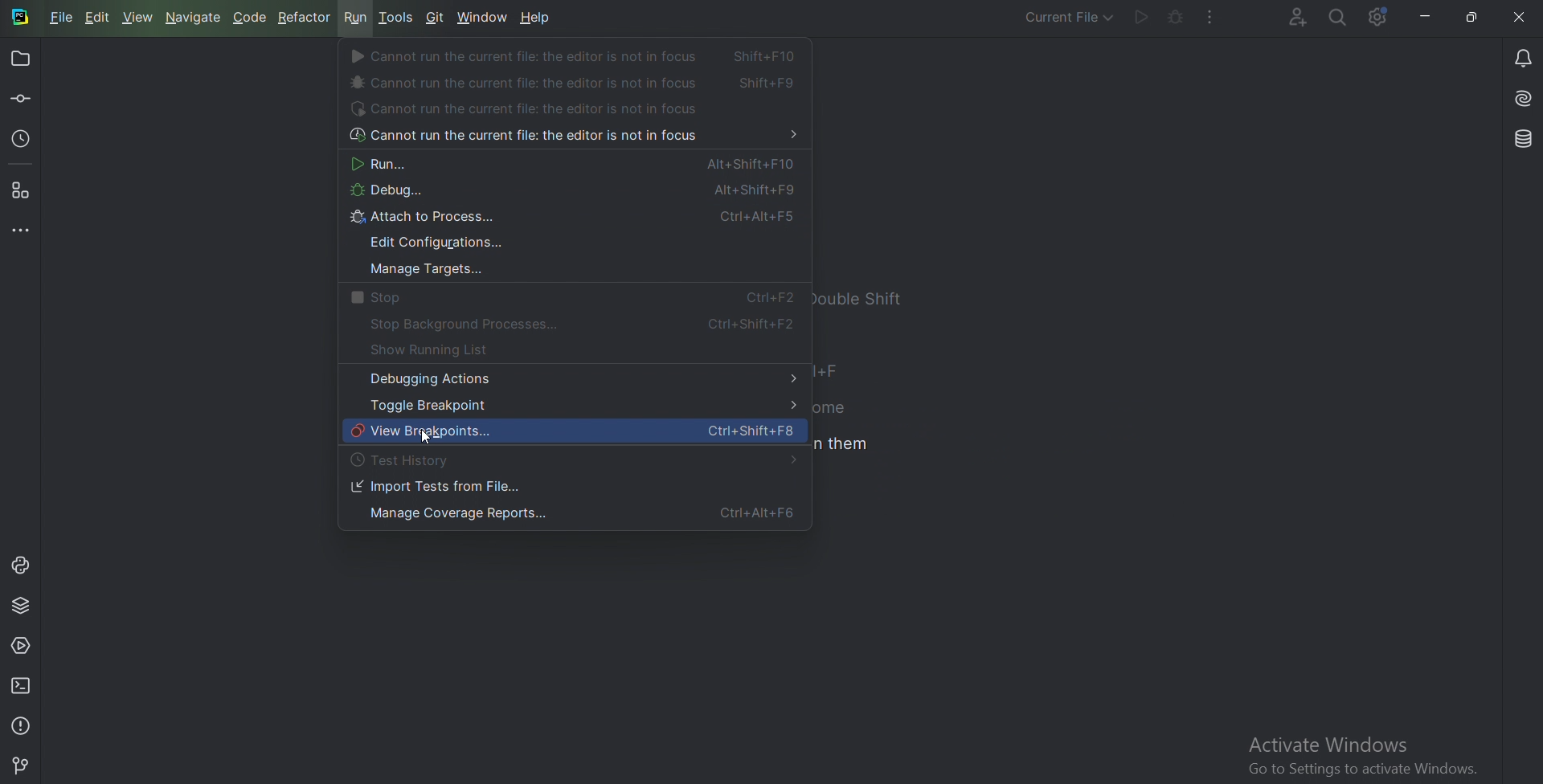 The height and width of the screenshot is (784, 1543). I want to click on Help, so click(537, 19).